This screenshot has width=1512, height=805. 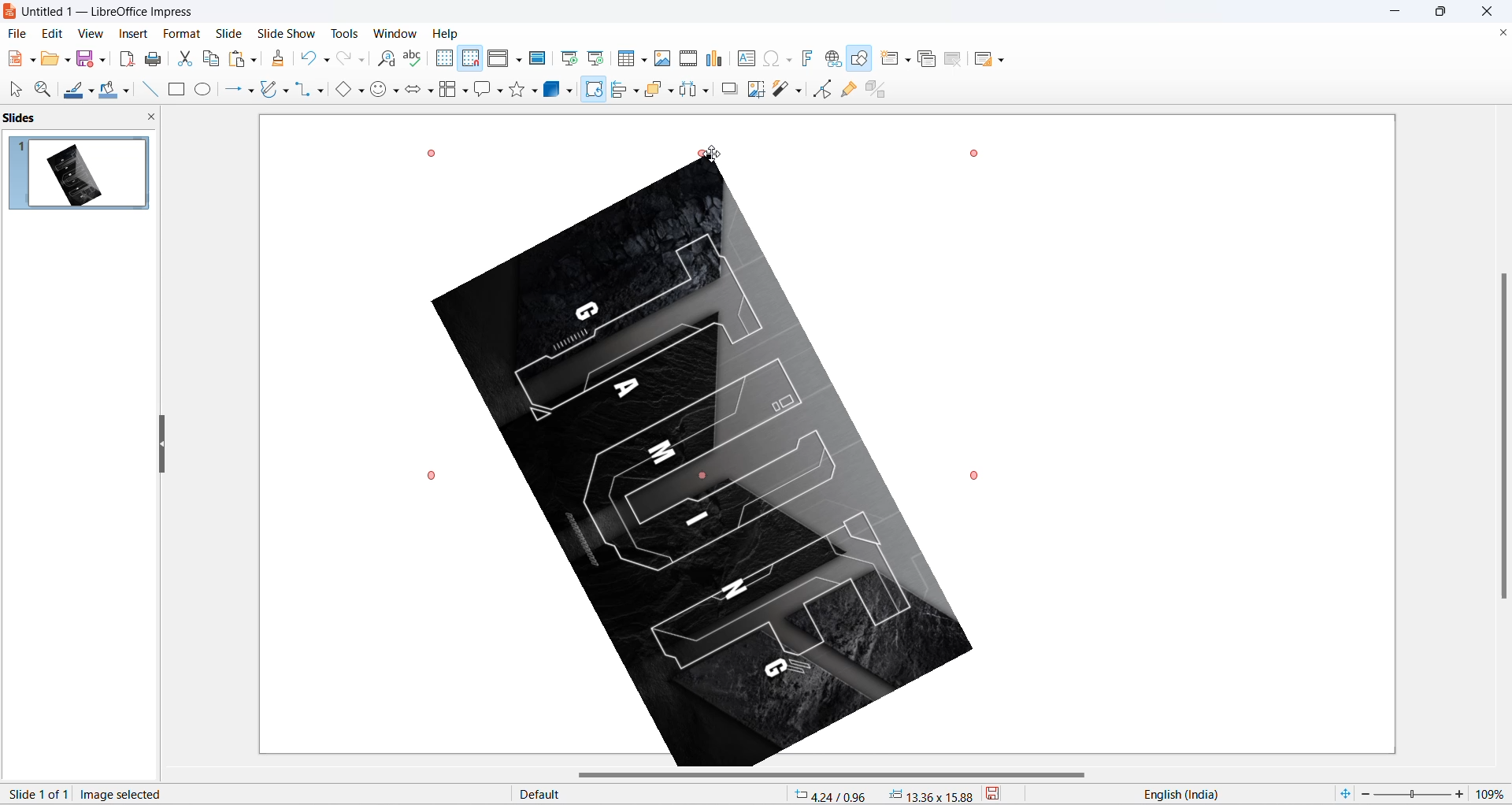 What do you see at coordinates (702, 463) in the screenshot?
I see `rotated image` at bounding box center [702, 463].